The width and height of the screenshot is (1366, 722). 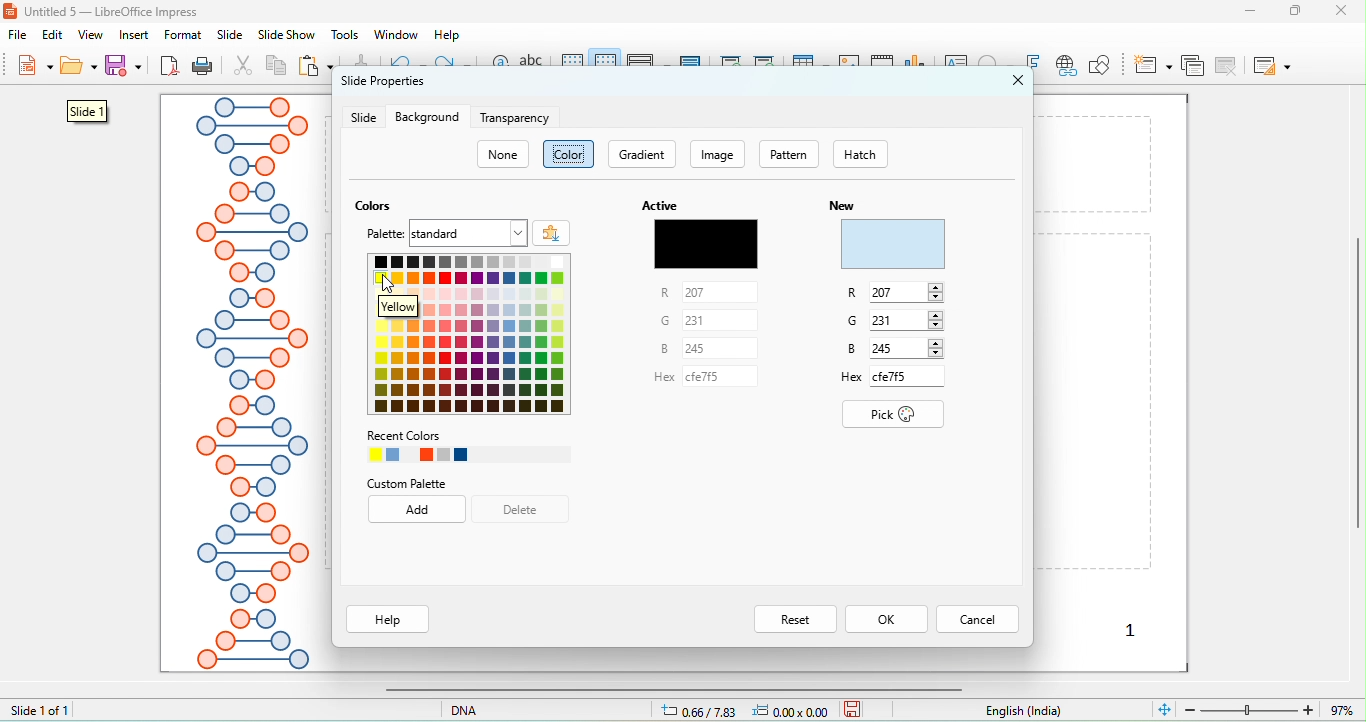 I want to click on chart, so click(x=918, y=66).